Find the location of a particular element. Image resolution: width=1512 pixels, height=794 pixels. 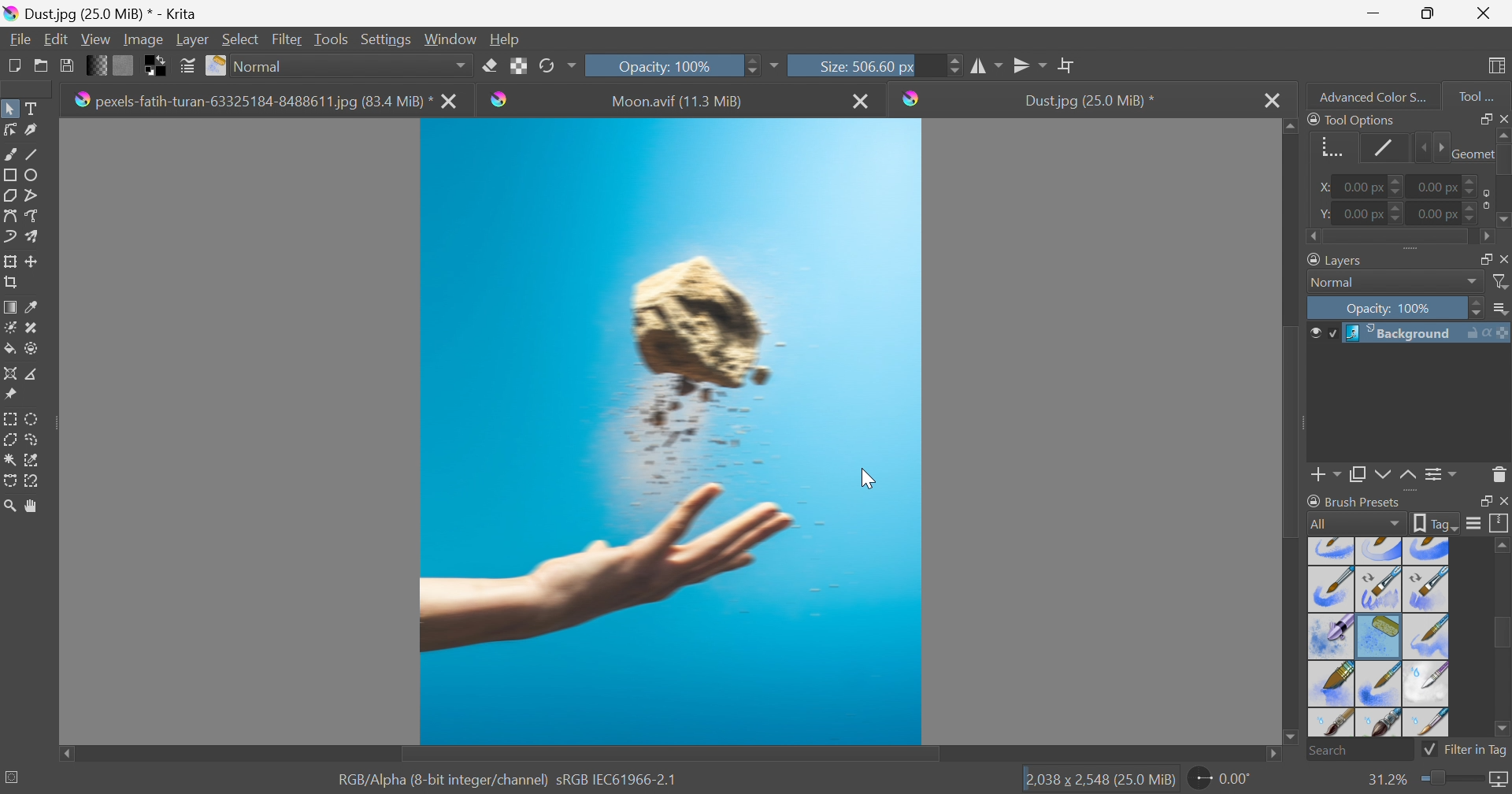

Swap foreground and background color is located at coordinates (158, 66).